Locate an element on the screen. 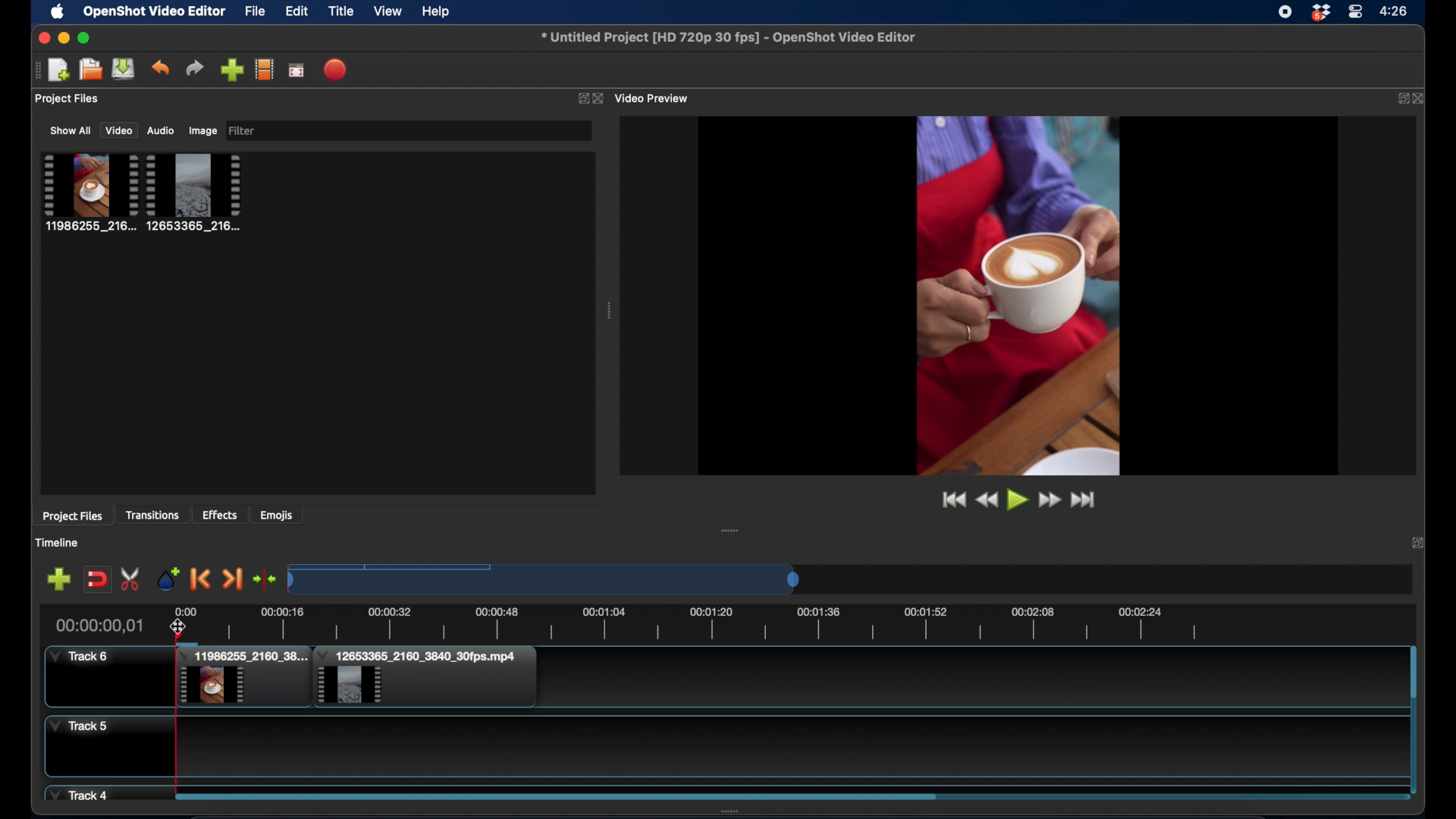 The width and height of the screenshot is (1456, 819). close is located at coordinates (600, 99).